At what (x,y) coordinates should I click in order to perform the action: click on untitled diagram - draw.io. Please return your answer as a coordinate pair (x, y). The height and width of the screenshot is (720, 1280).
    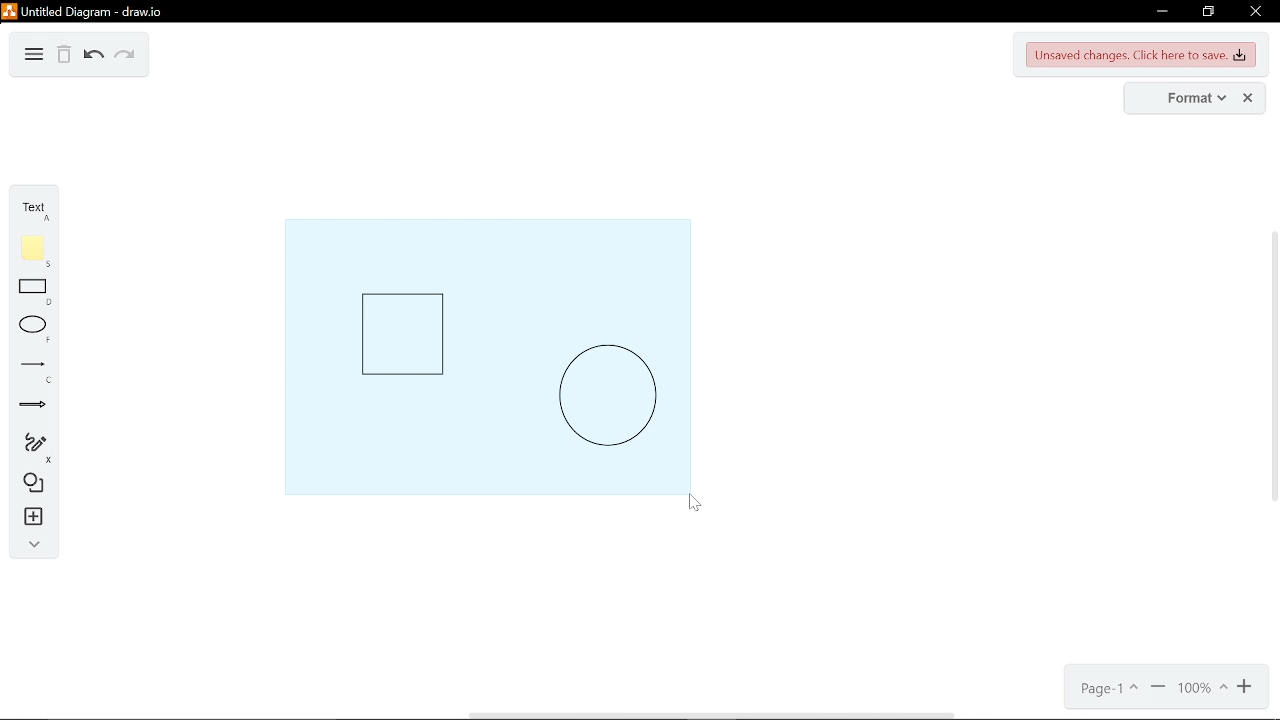
    Looking at the image, I should click on (94, 10).